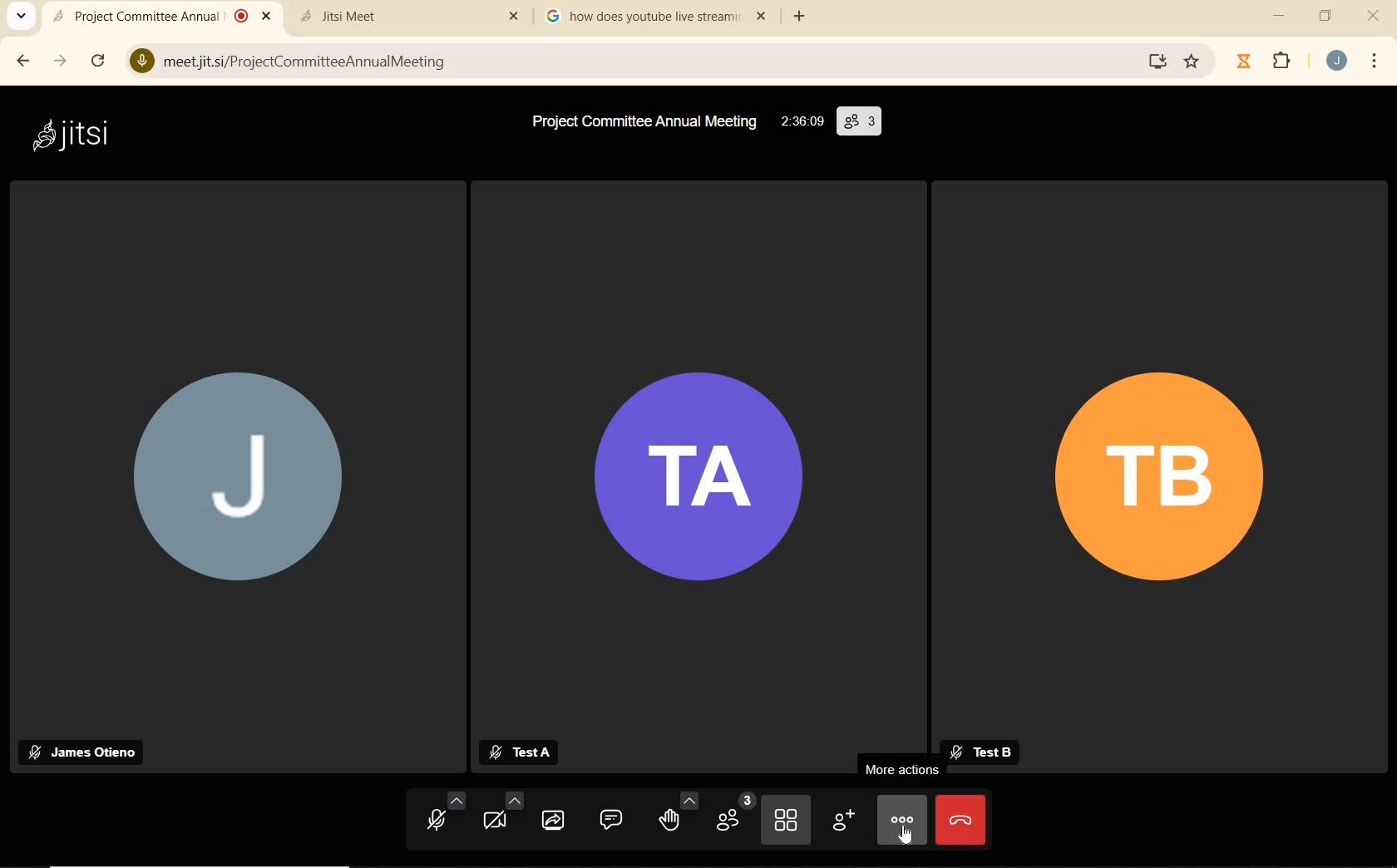 The height and width of the screenshot is (868, 1397). What do you see at coordinates (842, 821) in the screenshot?
I see `INVITE PEOPLE` at bounding box center [842, 821].